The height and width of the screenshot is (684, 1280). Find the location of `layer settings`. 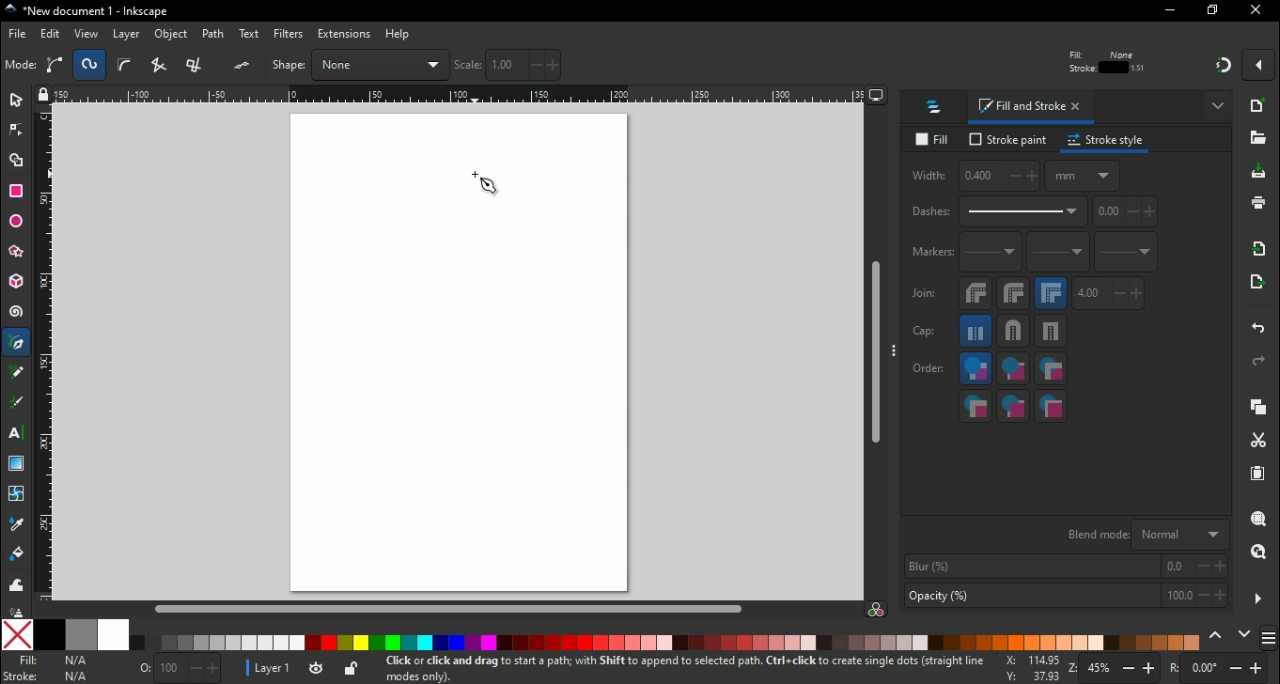

layer settings is located at coordinates (302, 669).